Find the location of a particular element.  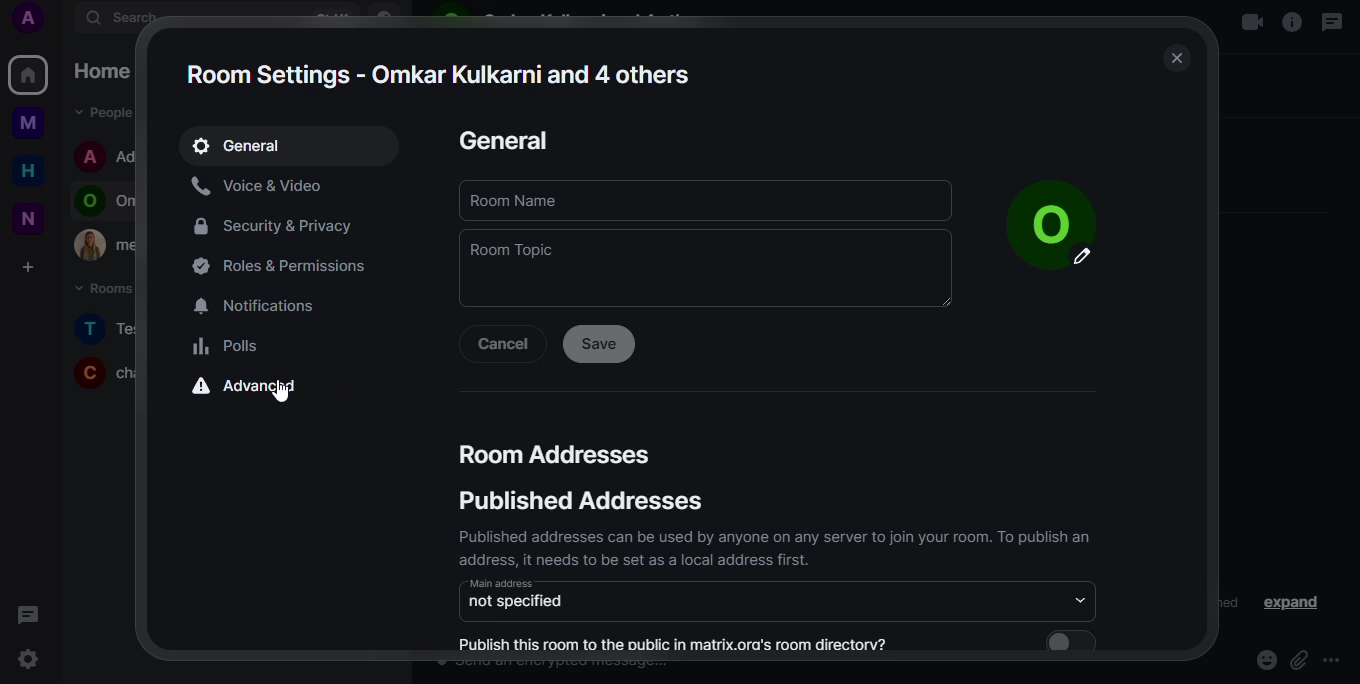

publish this room is located at coordinates (675, 642).